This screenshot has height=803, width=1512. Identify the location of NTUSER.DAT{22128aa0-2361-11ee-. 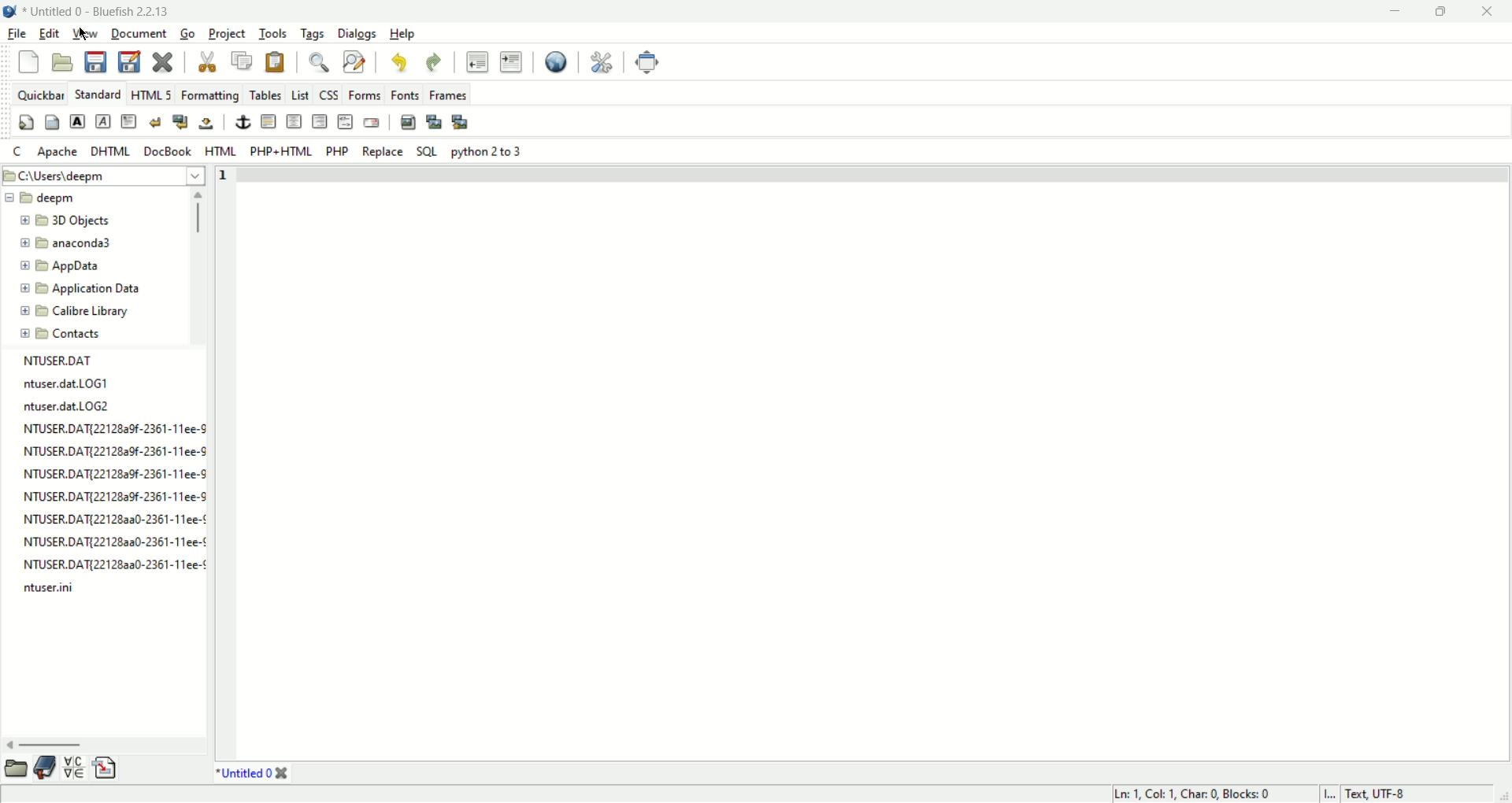
(113, 563).